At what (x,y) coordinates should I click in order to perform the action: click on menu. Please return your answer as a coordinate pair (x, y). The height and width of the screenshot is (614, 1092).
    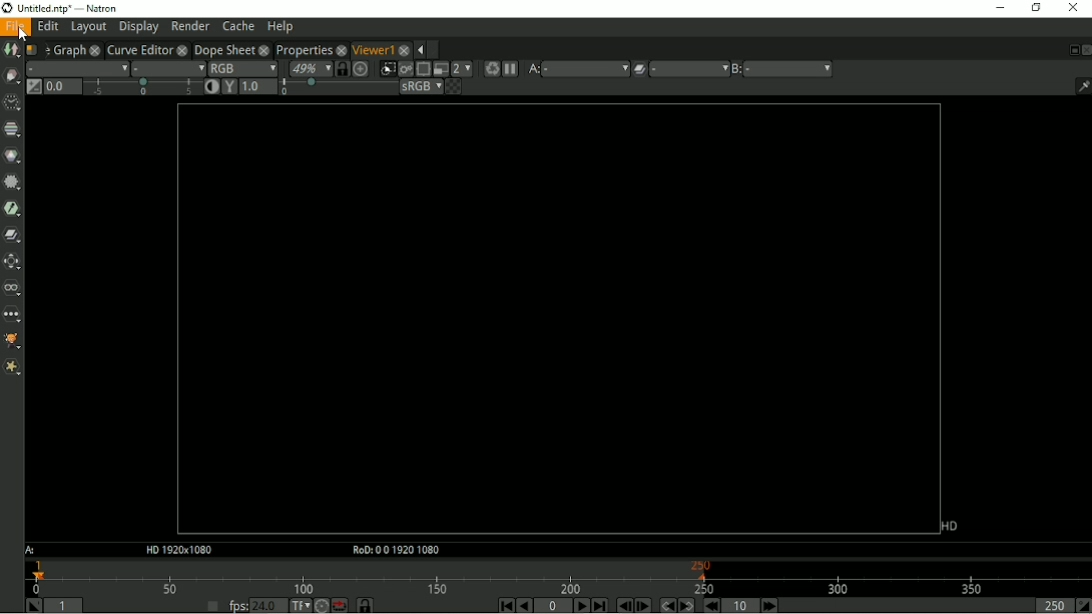
    Looking at the image, I should click on (689, 69).